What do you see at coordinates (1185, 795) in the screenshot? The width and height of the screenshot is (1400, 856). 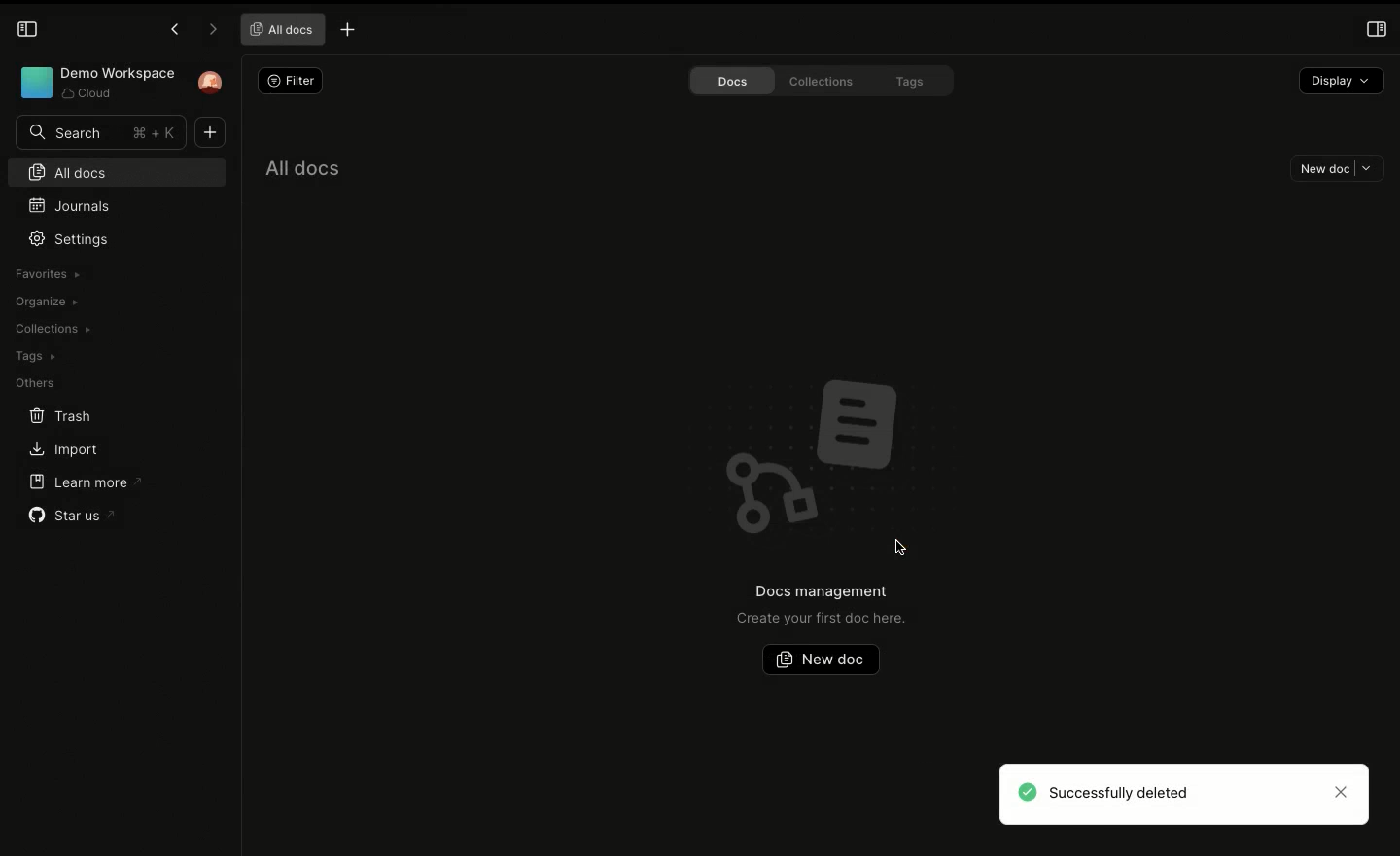 I see `Successfully deleted` at bounding box center [1185, 795].